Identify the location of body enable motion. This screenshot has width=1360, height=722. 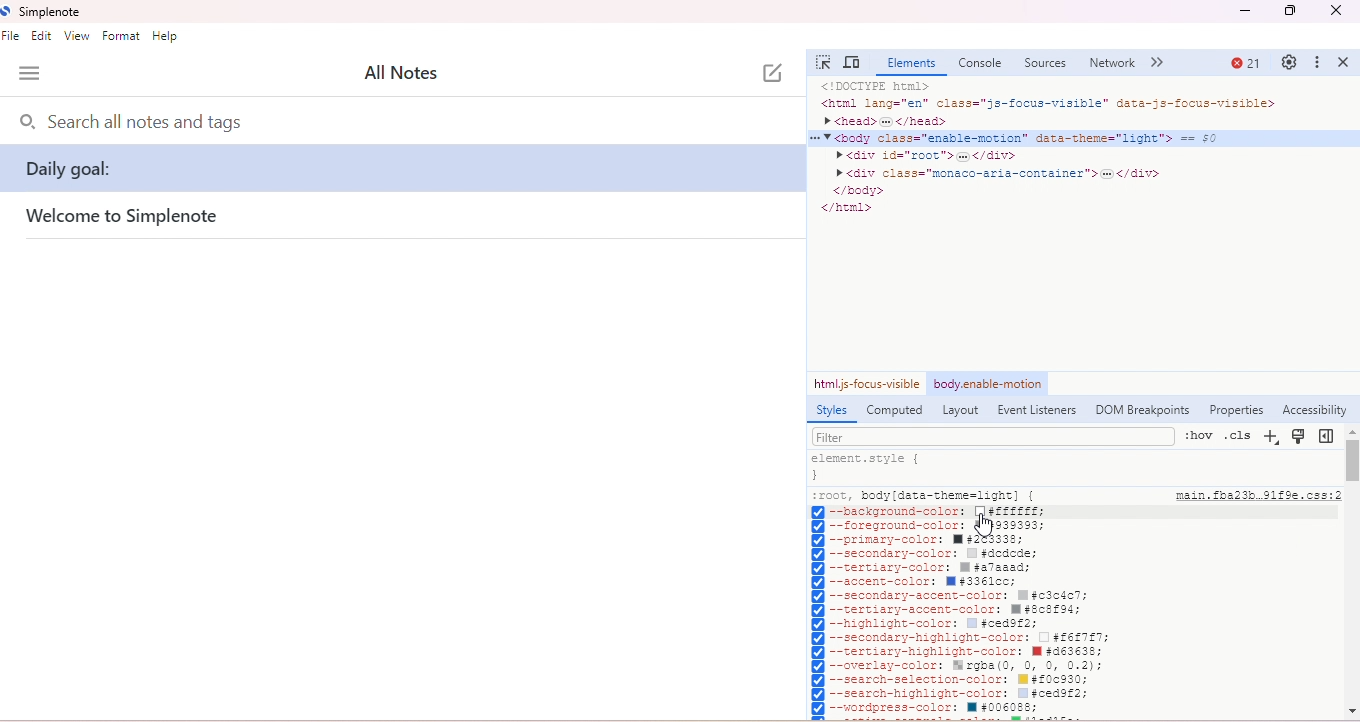
(987, 385).